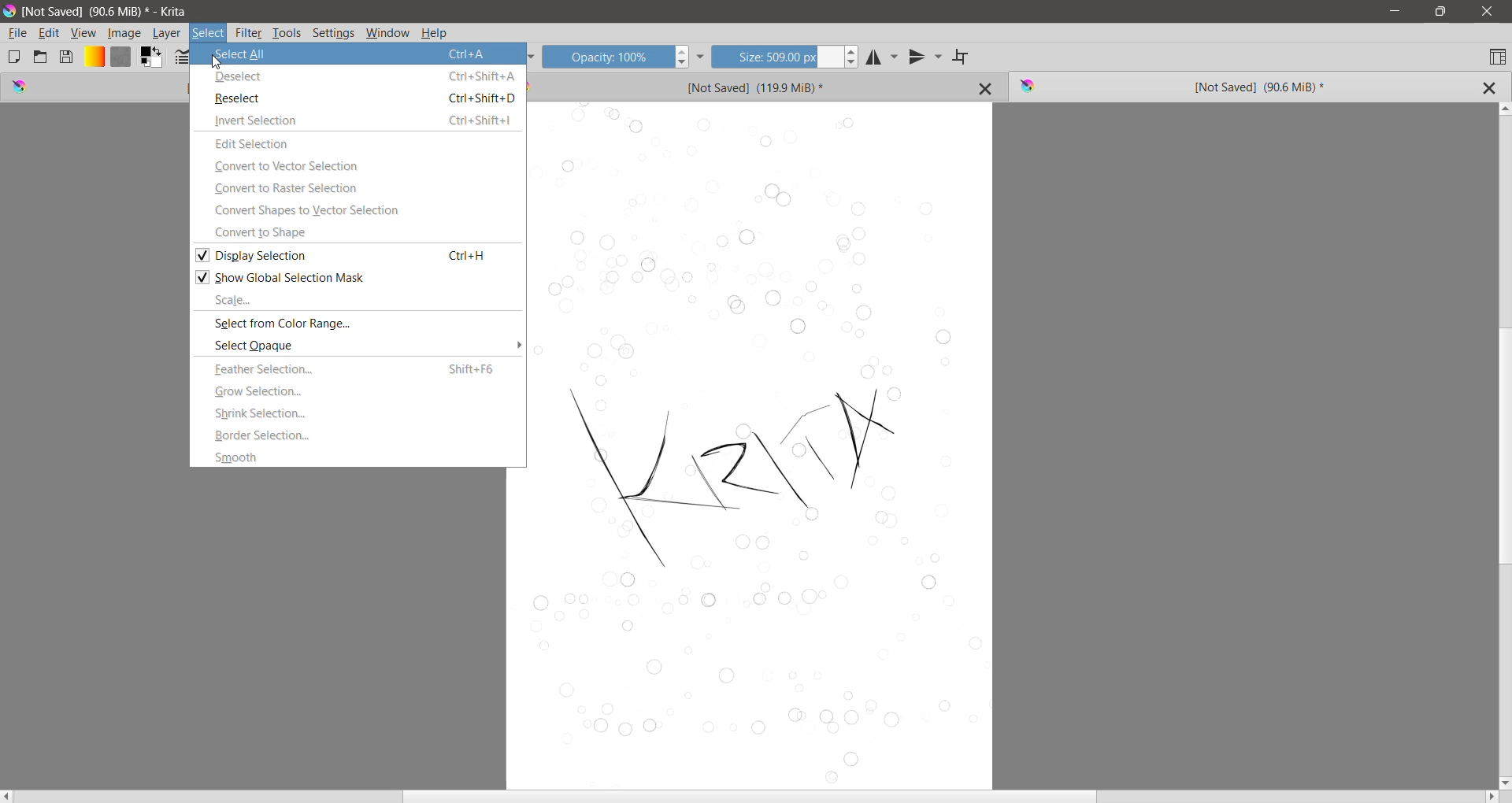  I want to click on Close Tab, so click(1488, 88).